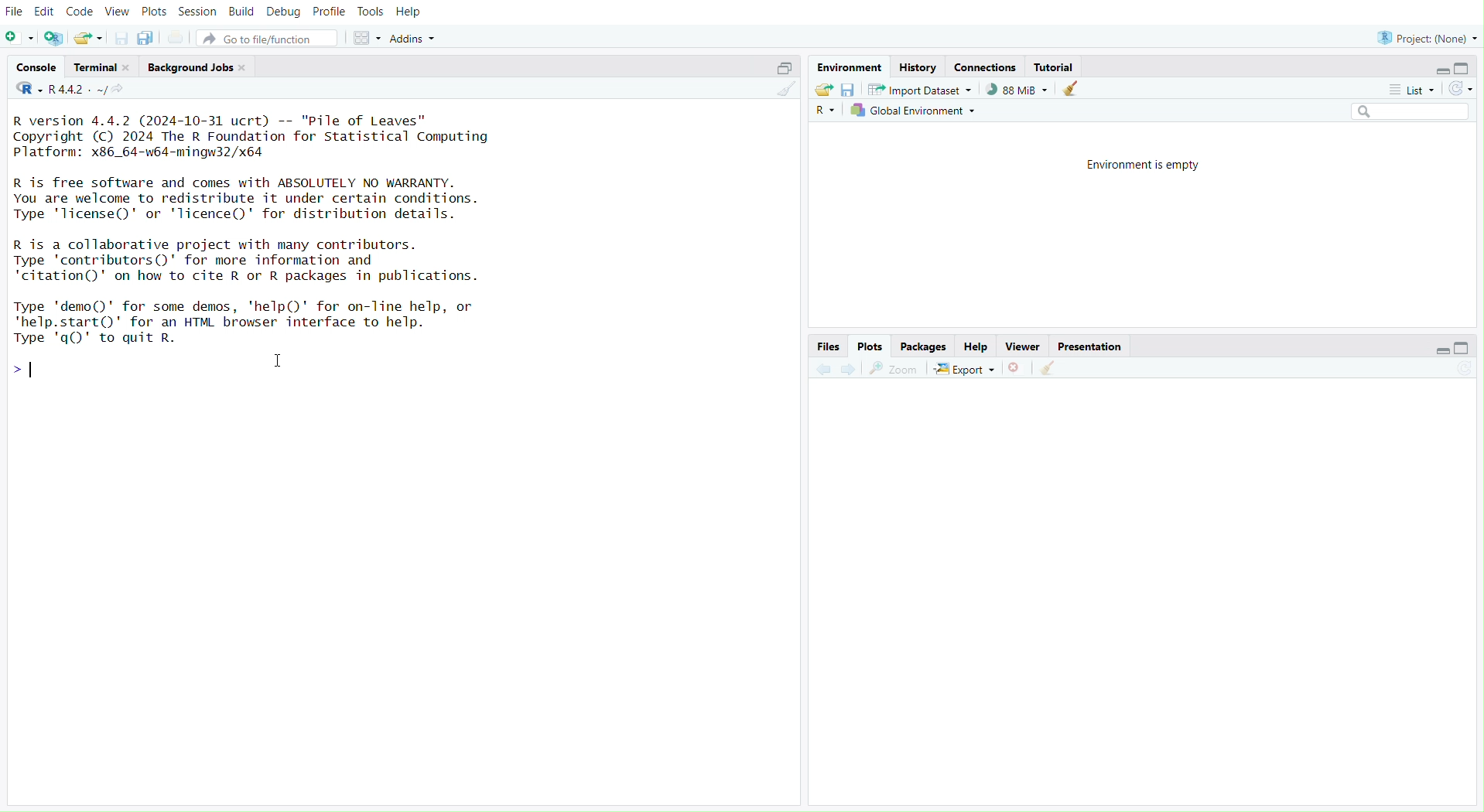 Image resolution: width=1484 pixels, height=812 pixels. Describe the element at coordinates (199, 12) in the screenshot. I see `Session` at that location.